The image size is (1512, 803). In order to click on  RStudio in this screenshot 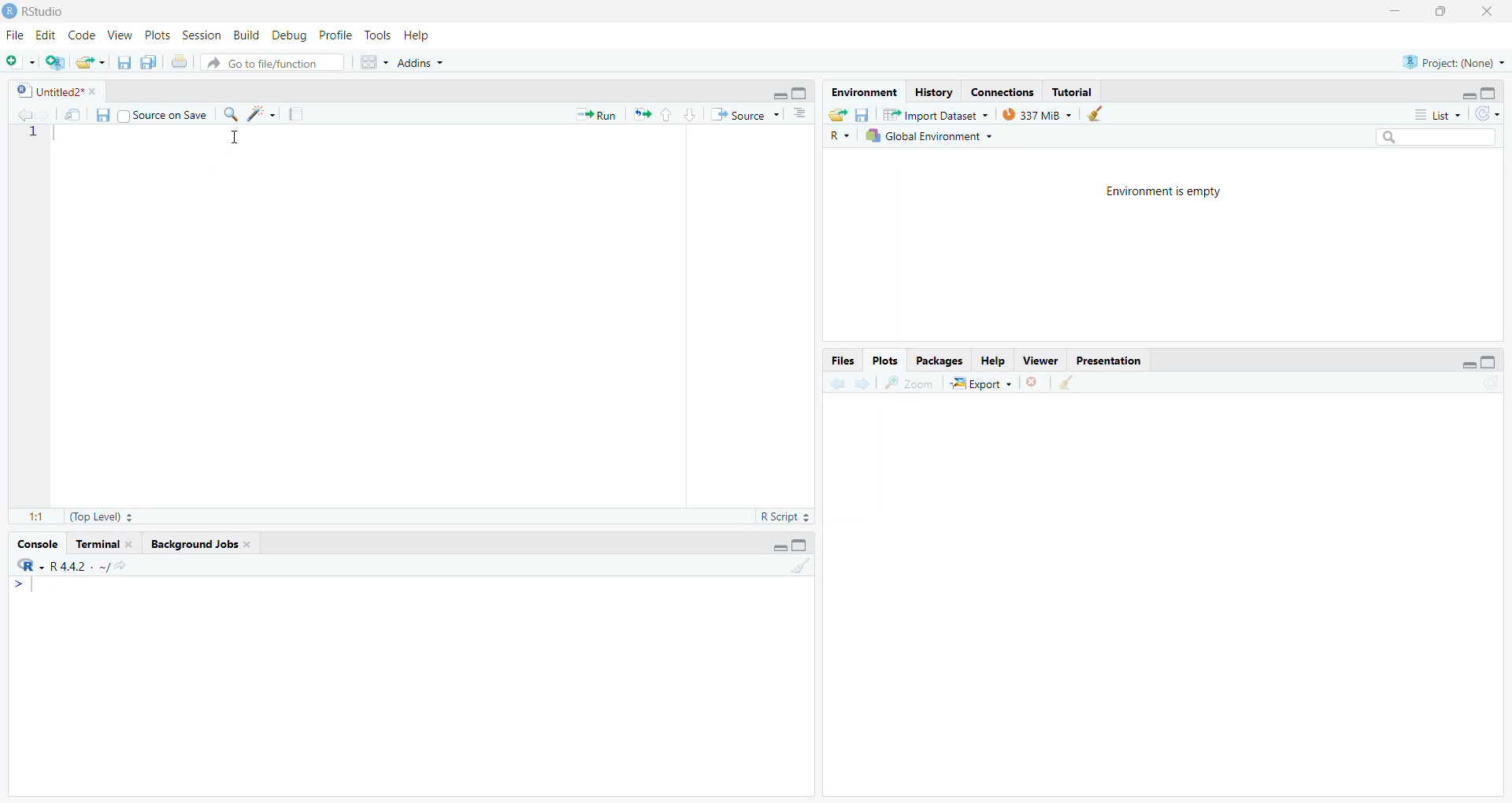, I will do `click(37, 9)`.